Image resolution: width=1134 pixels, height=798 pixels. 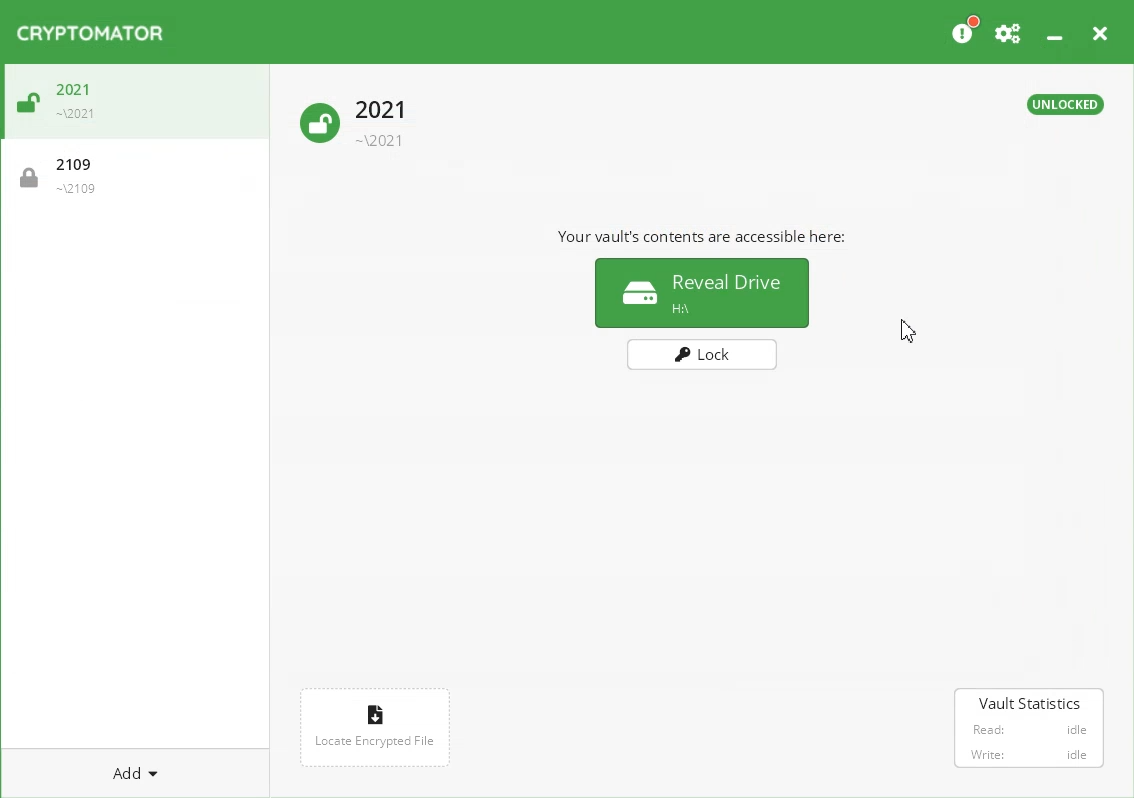 What do you see at coordinates (700, 234) in the screenshot?
I see `Text` at bounding box center [700, 234].